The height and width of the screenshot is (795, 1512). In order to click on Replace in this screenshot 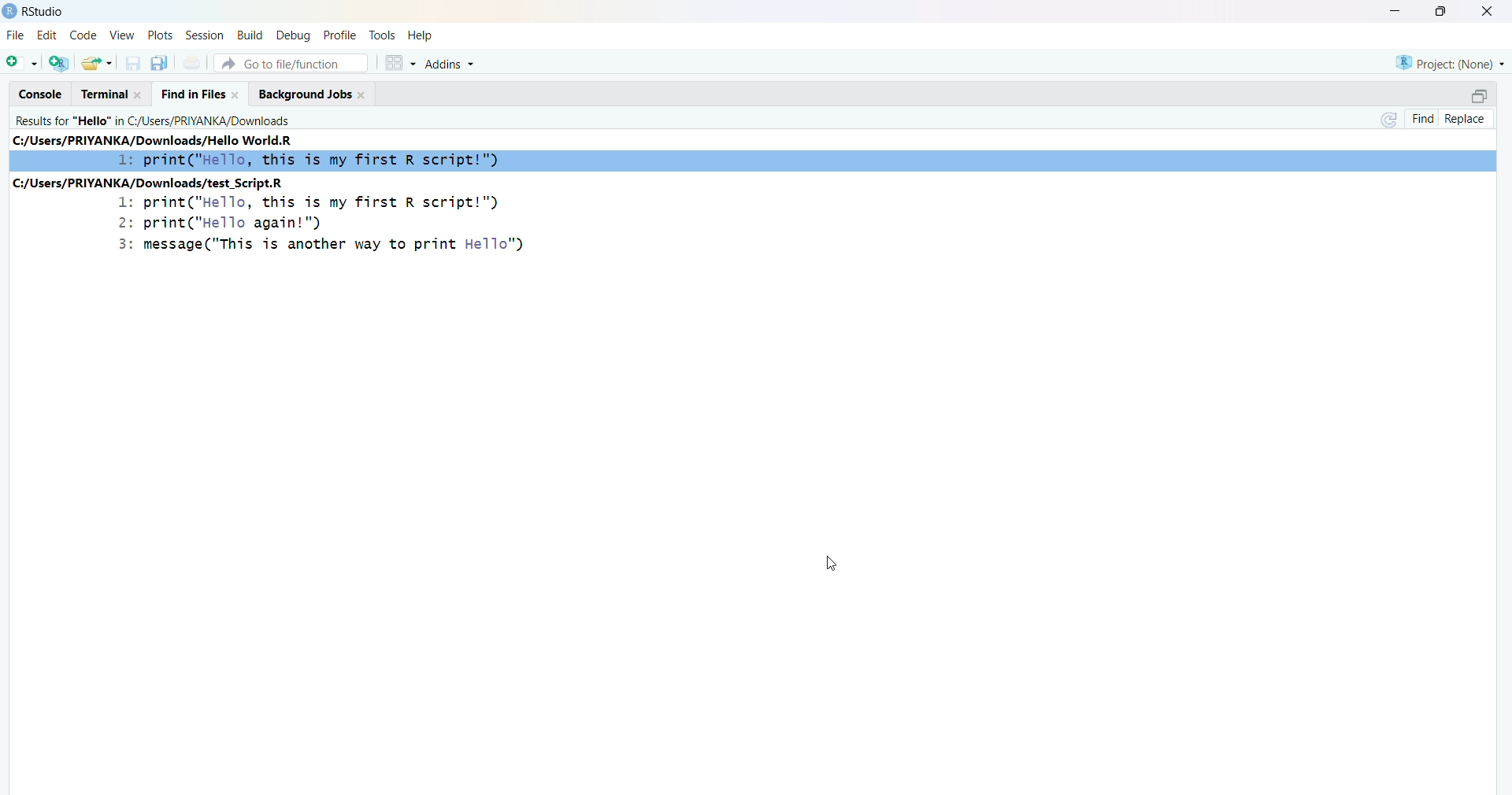, I will do `click(1466, 120)`.